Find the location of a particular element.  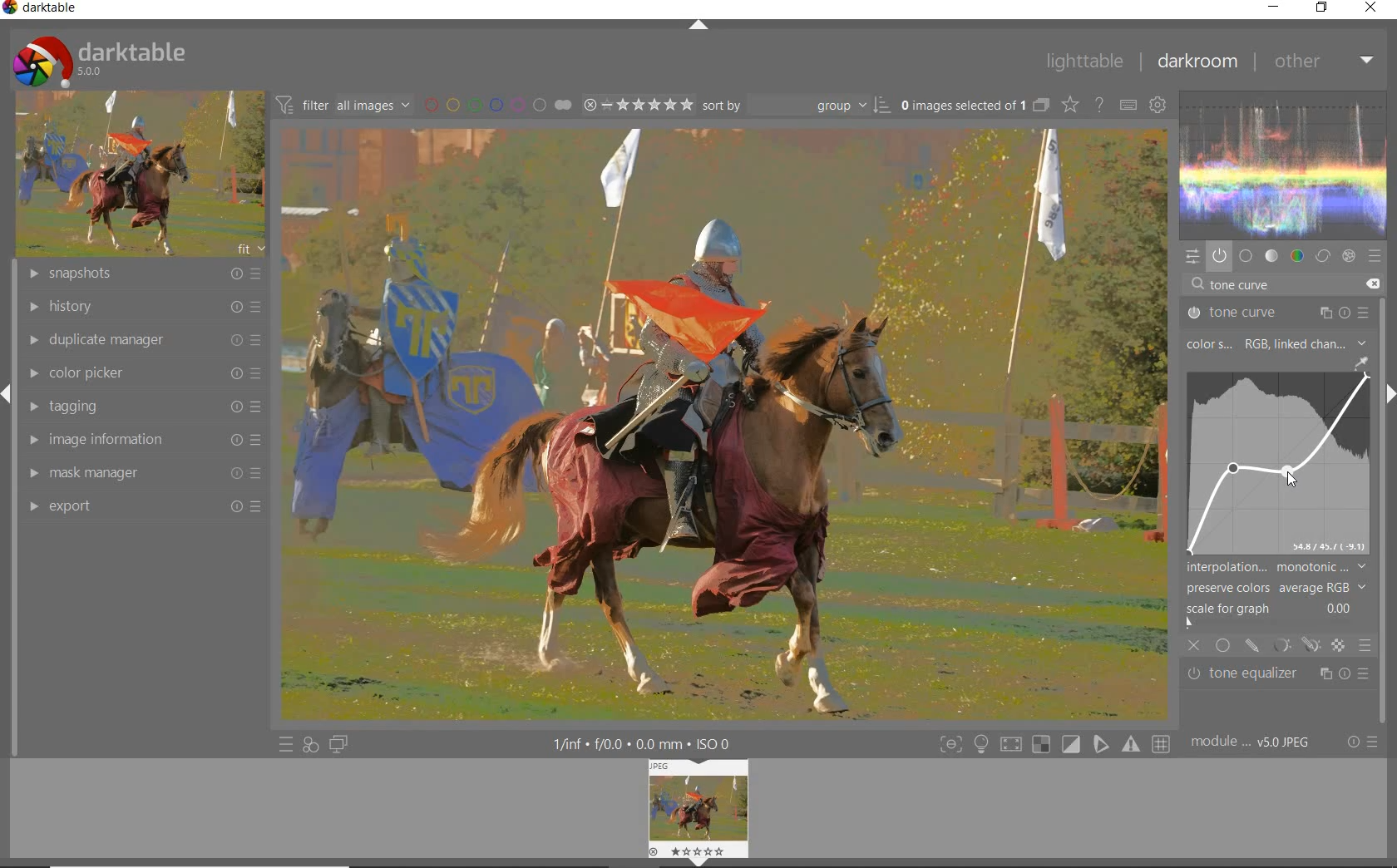

input value is located at coordinates (1243, 286).